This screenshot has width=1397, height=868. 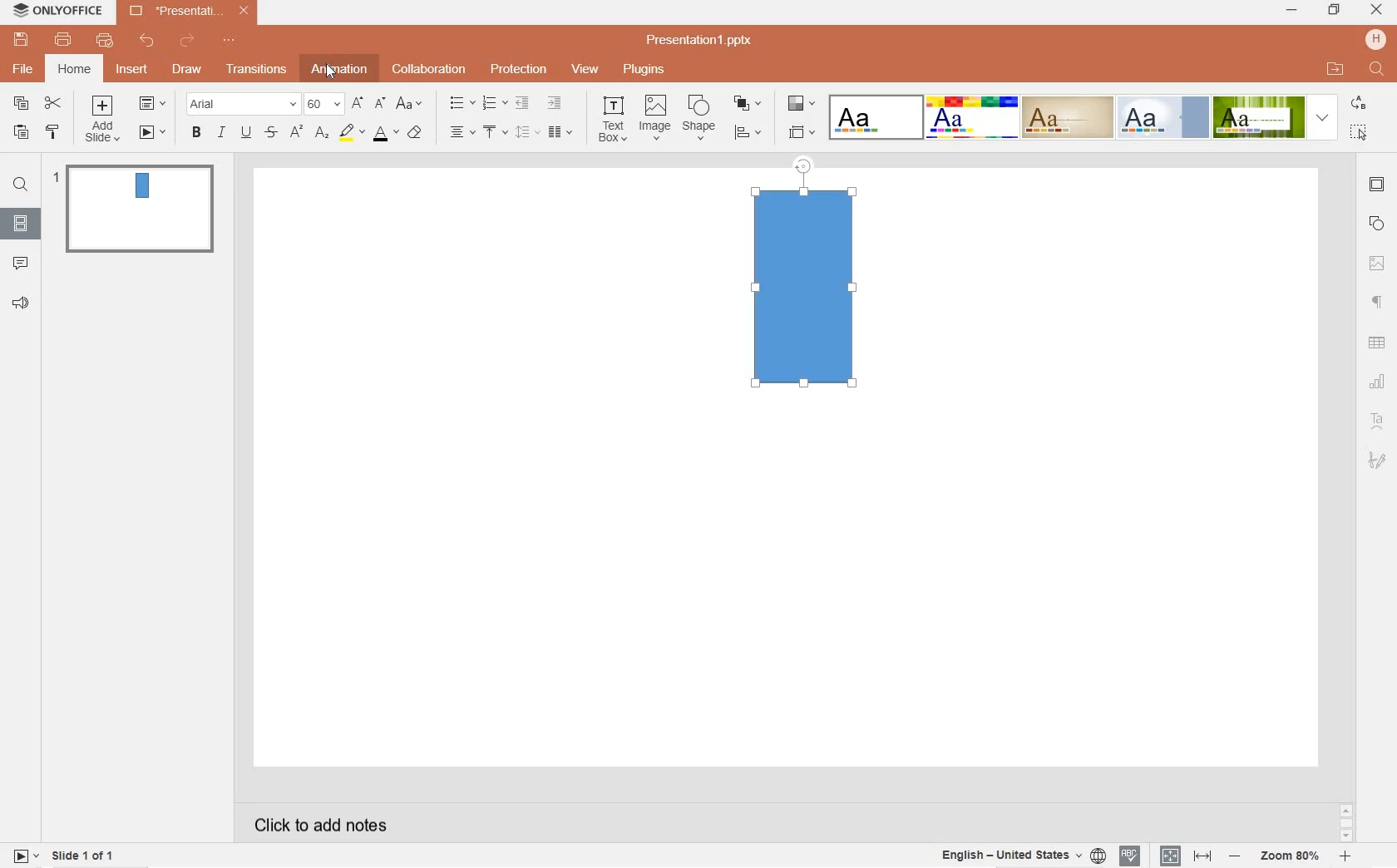 I want to click on CLOSE, so click(x=1377, y=11).